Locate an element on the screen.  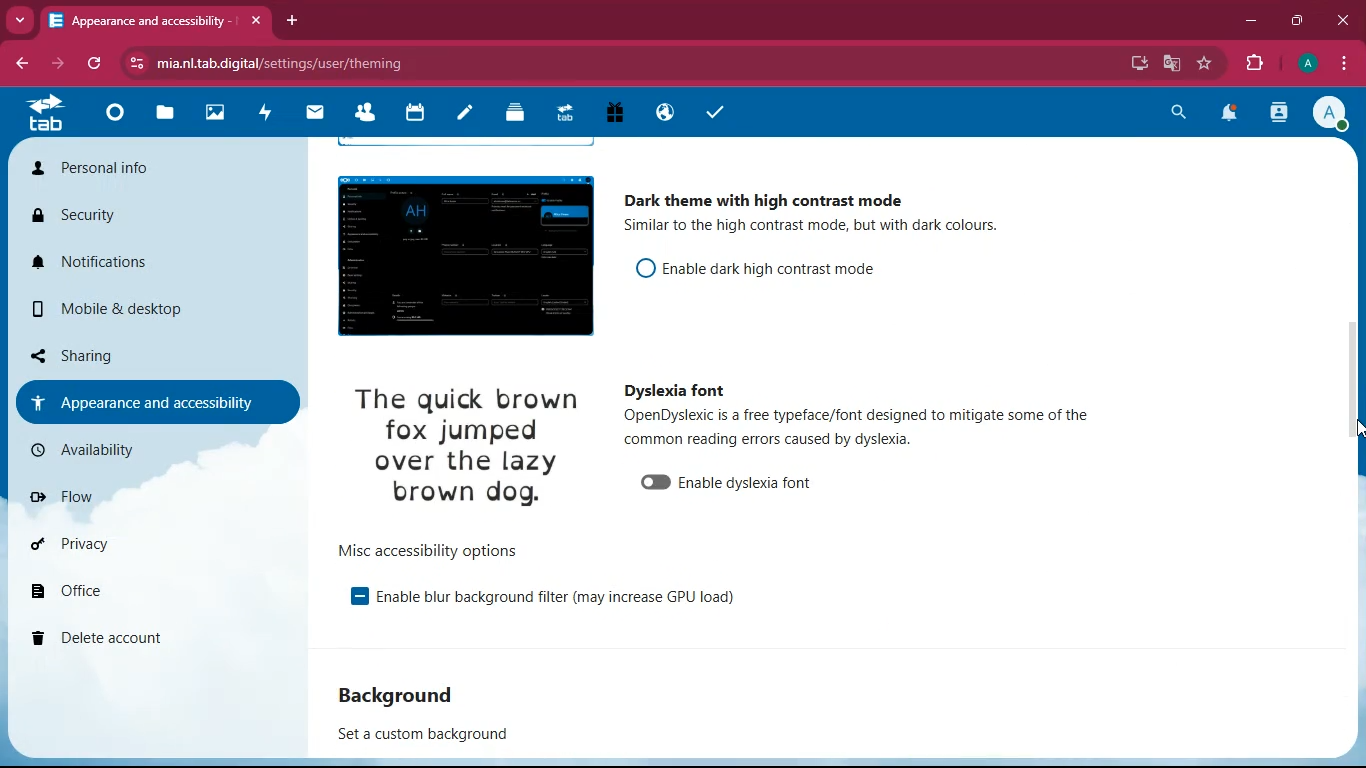
office is located at coordinates (137, 585).